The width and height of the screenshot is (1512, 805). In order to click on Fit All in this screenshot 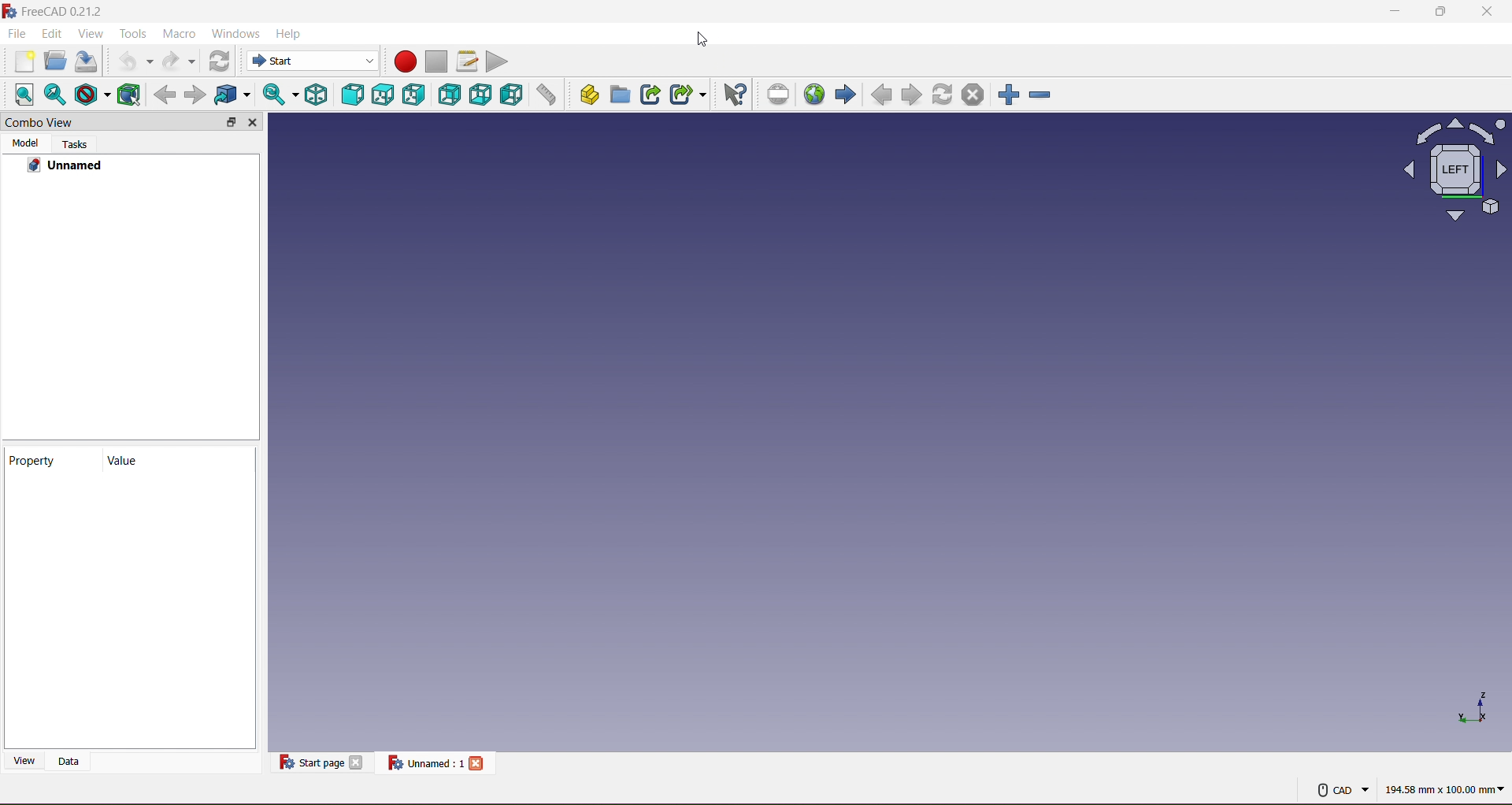, I will do `click(54, 95)`.